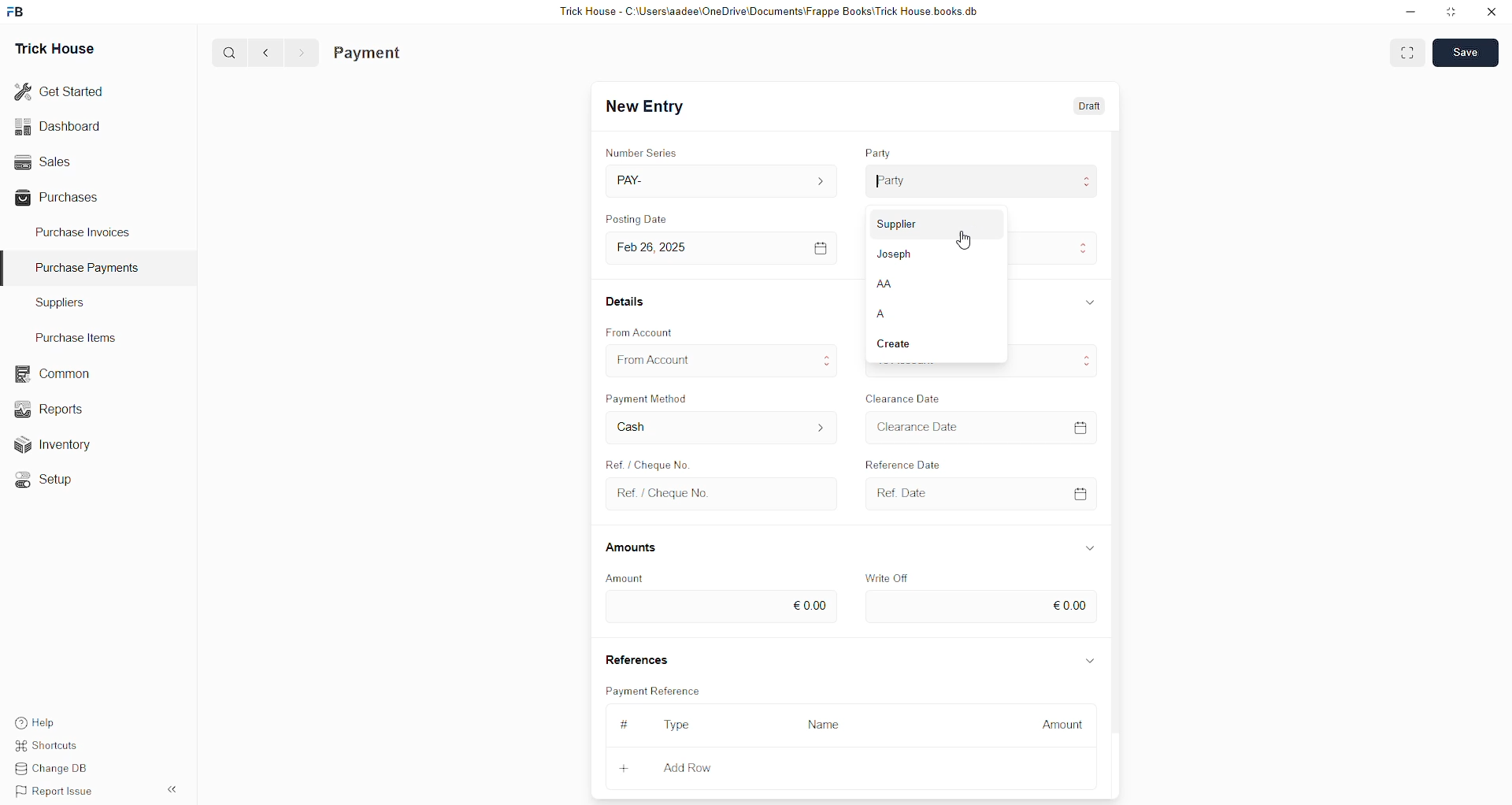 This screenshot has height=805, width=1512. I want to click on Feb 26, 2025 , so click(723, 247).